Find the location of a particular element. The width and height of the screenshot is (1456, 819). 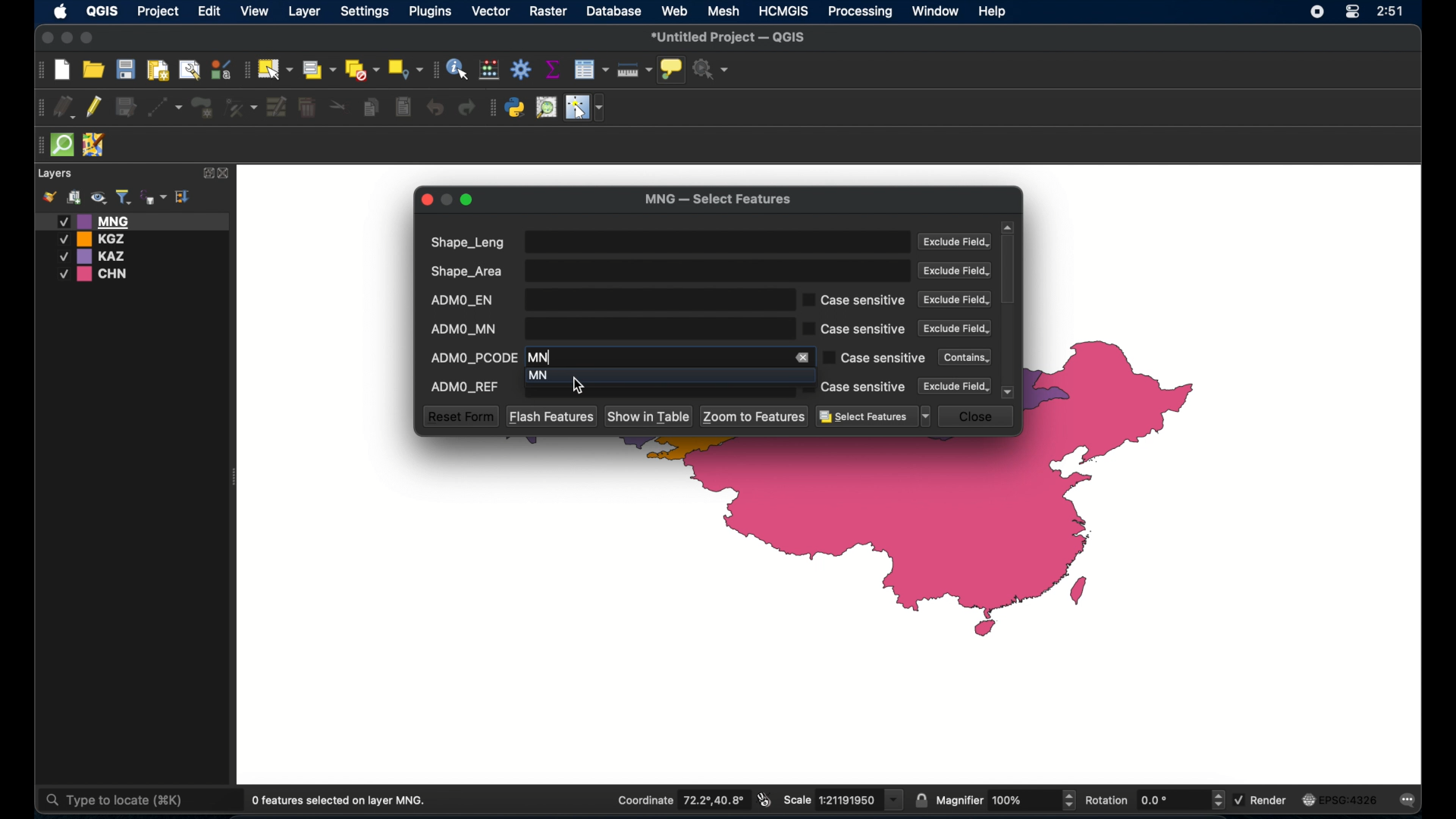

maximize is located at coordinates (88, 39).